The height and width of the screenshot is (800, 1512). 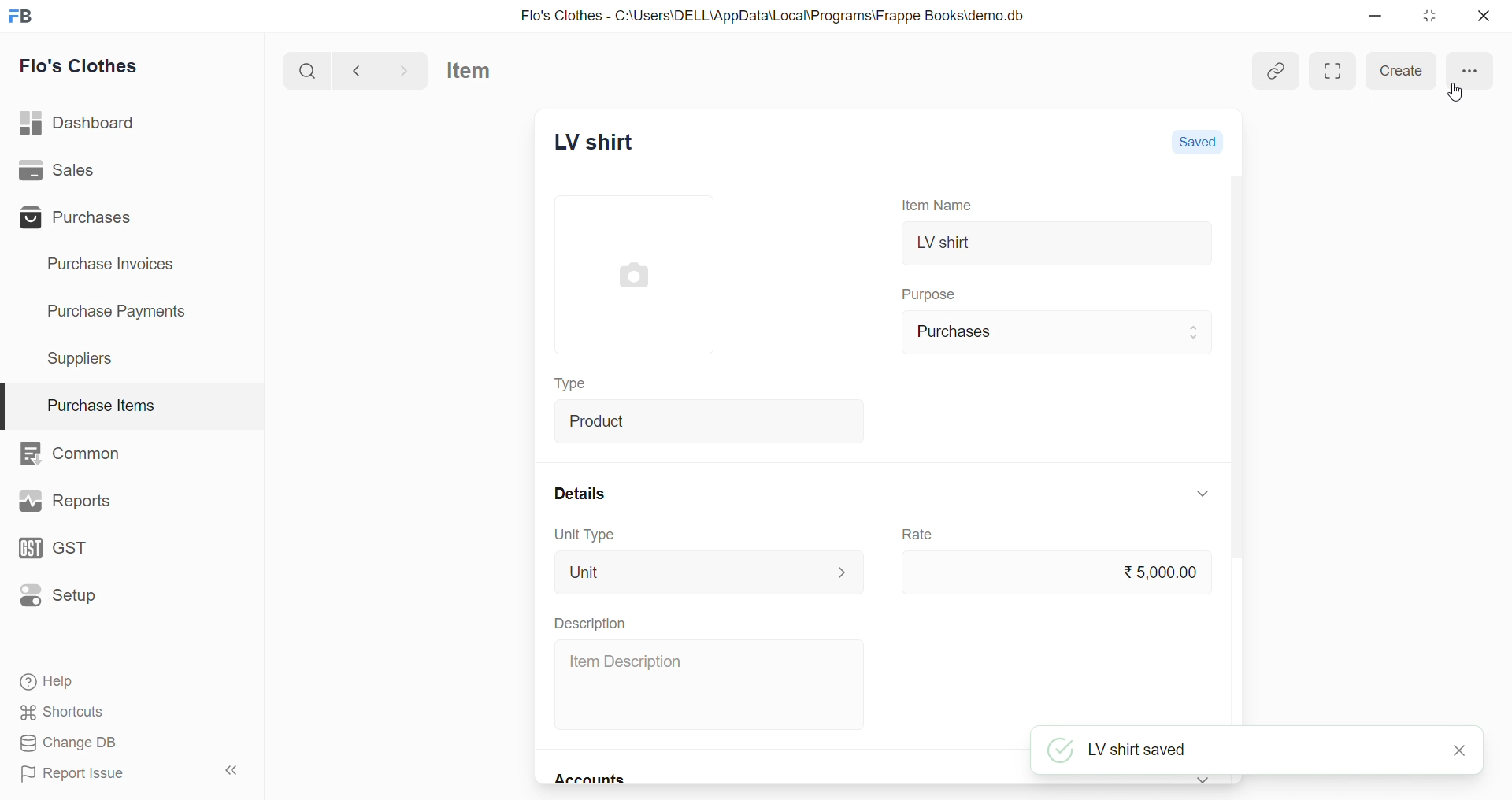 I want to click on Help, so click(x=124, y=680).